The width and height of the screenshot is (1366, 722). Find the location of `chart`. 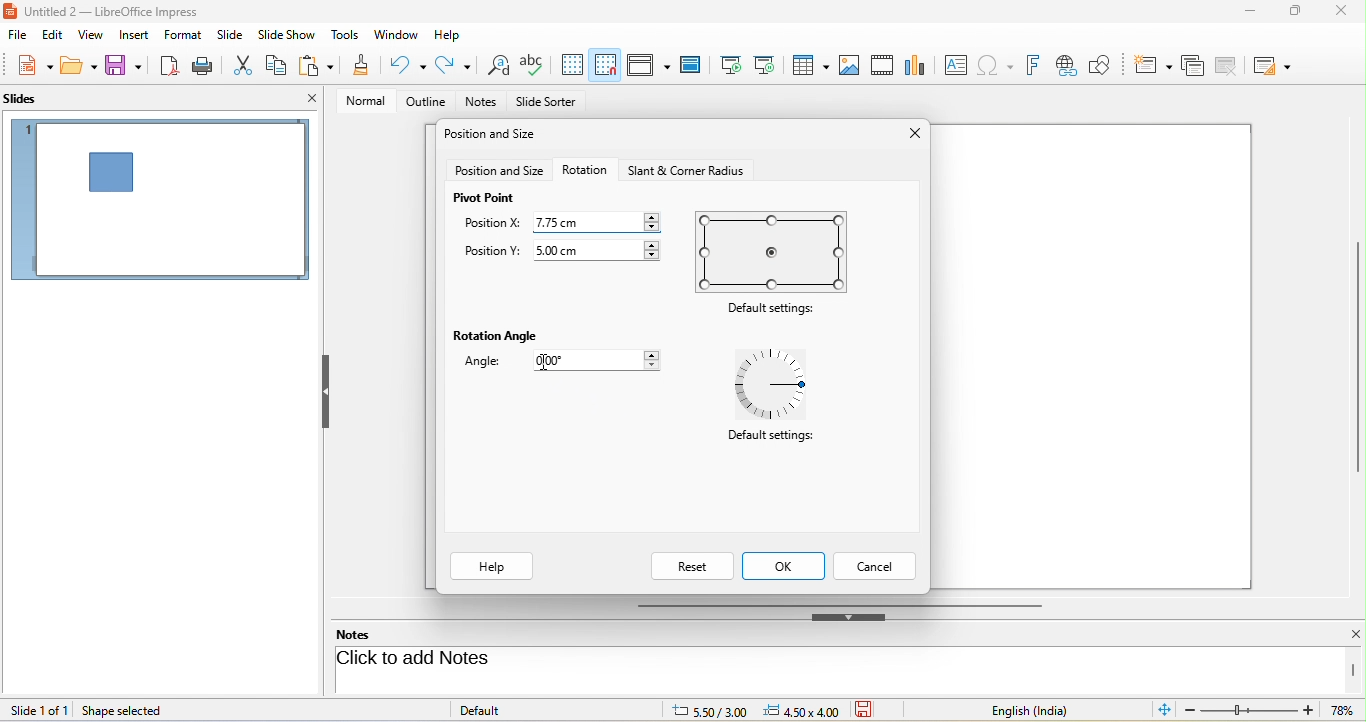

chart is located at coordinates (917, 64).